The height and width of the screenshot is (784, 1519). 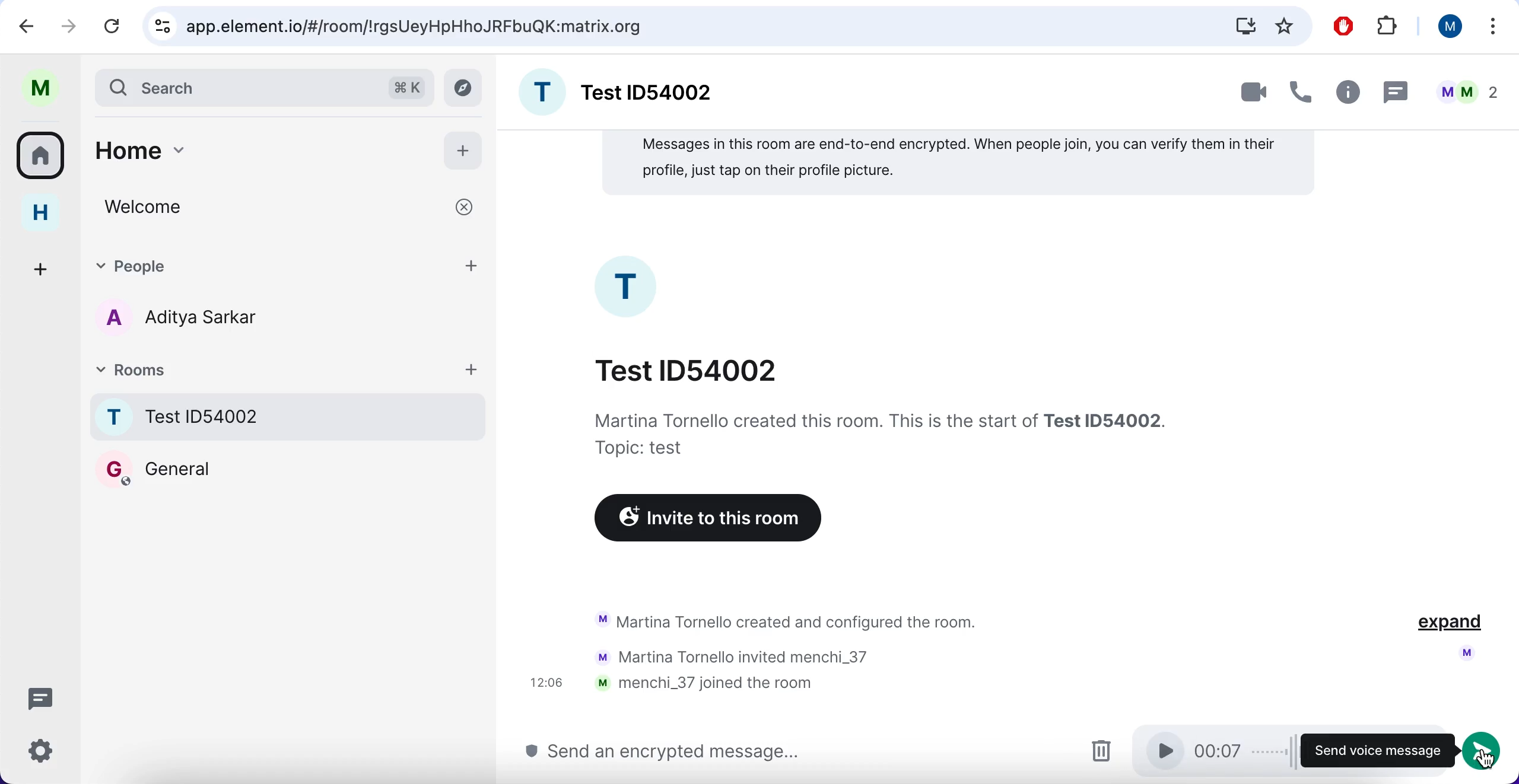 I want to click on controls, so click(x=160, y=26).